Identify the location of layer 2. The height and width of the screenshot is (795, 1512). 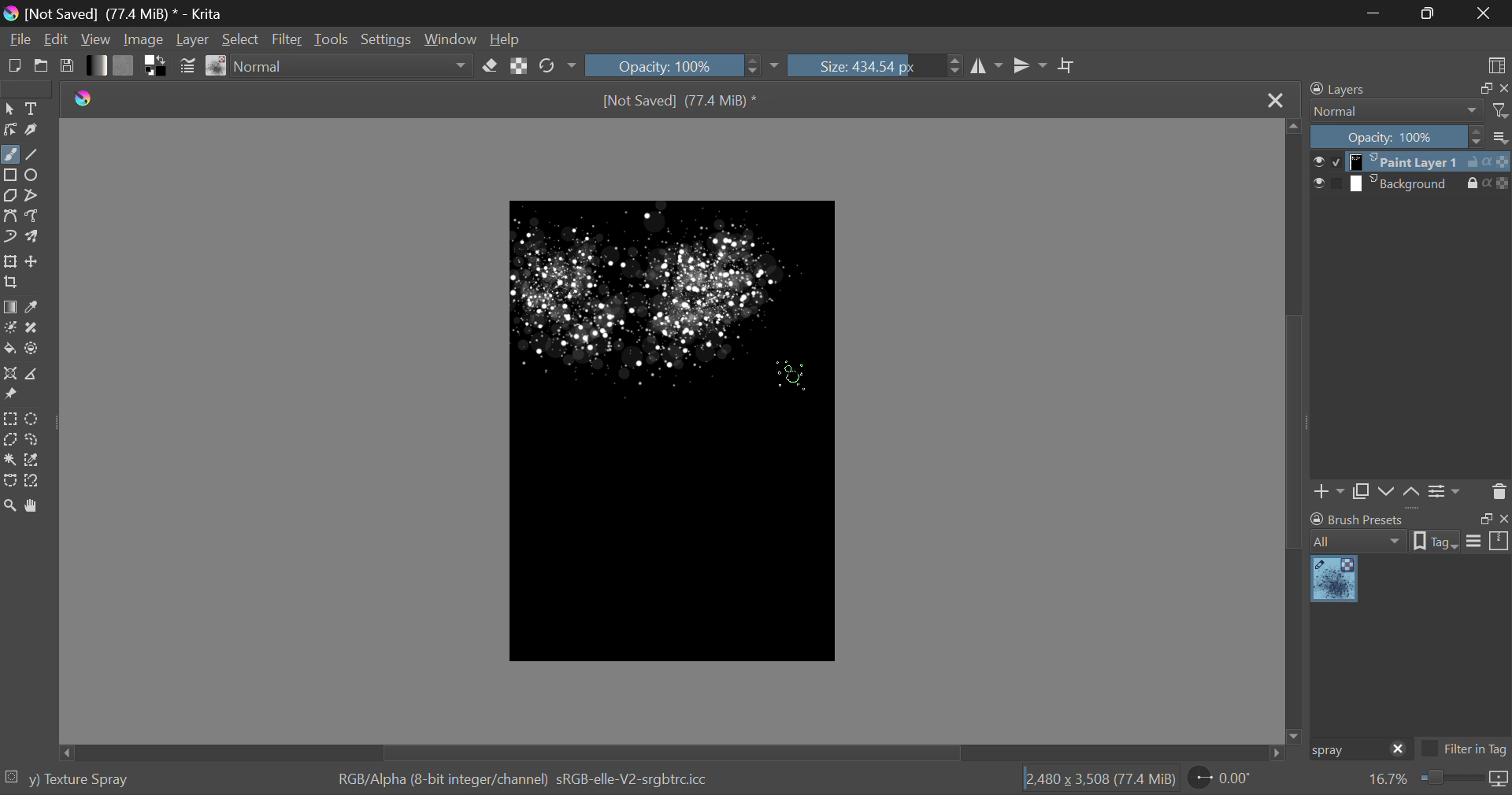
(1405, 184).